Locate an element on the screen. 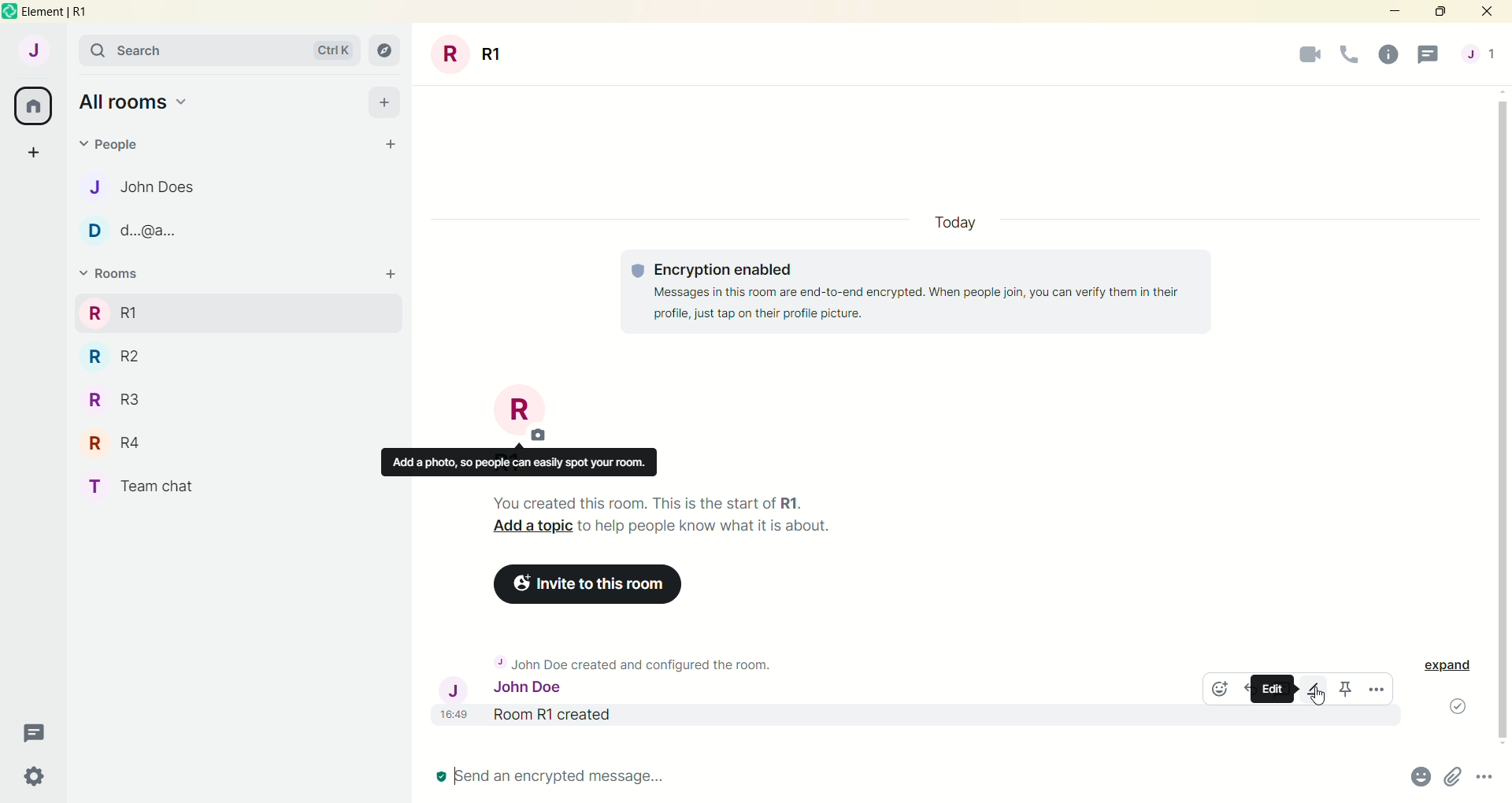 The height and width of the screenshot is (803, 1512). pin is located at coordinates (1346, 690).